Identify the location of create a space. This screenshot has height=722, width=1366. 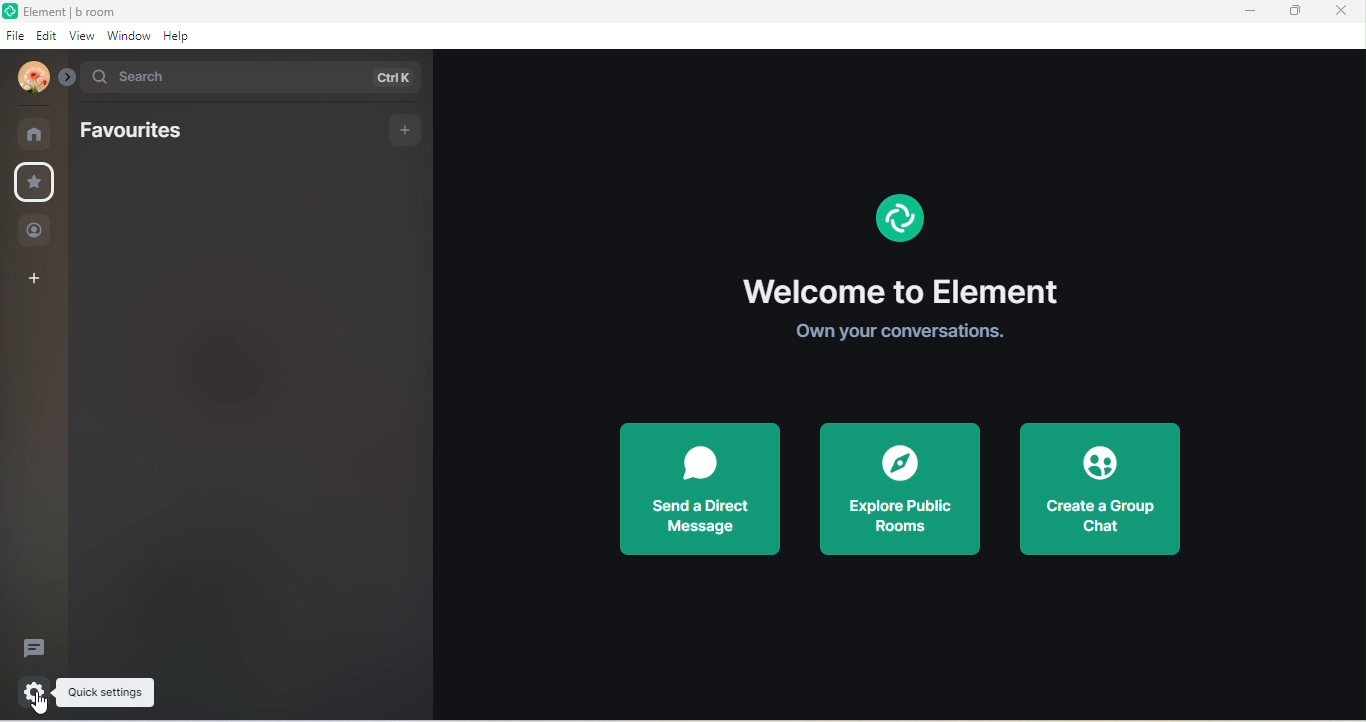
(38, 280).